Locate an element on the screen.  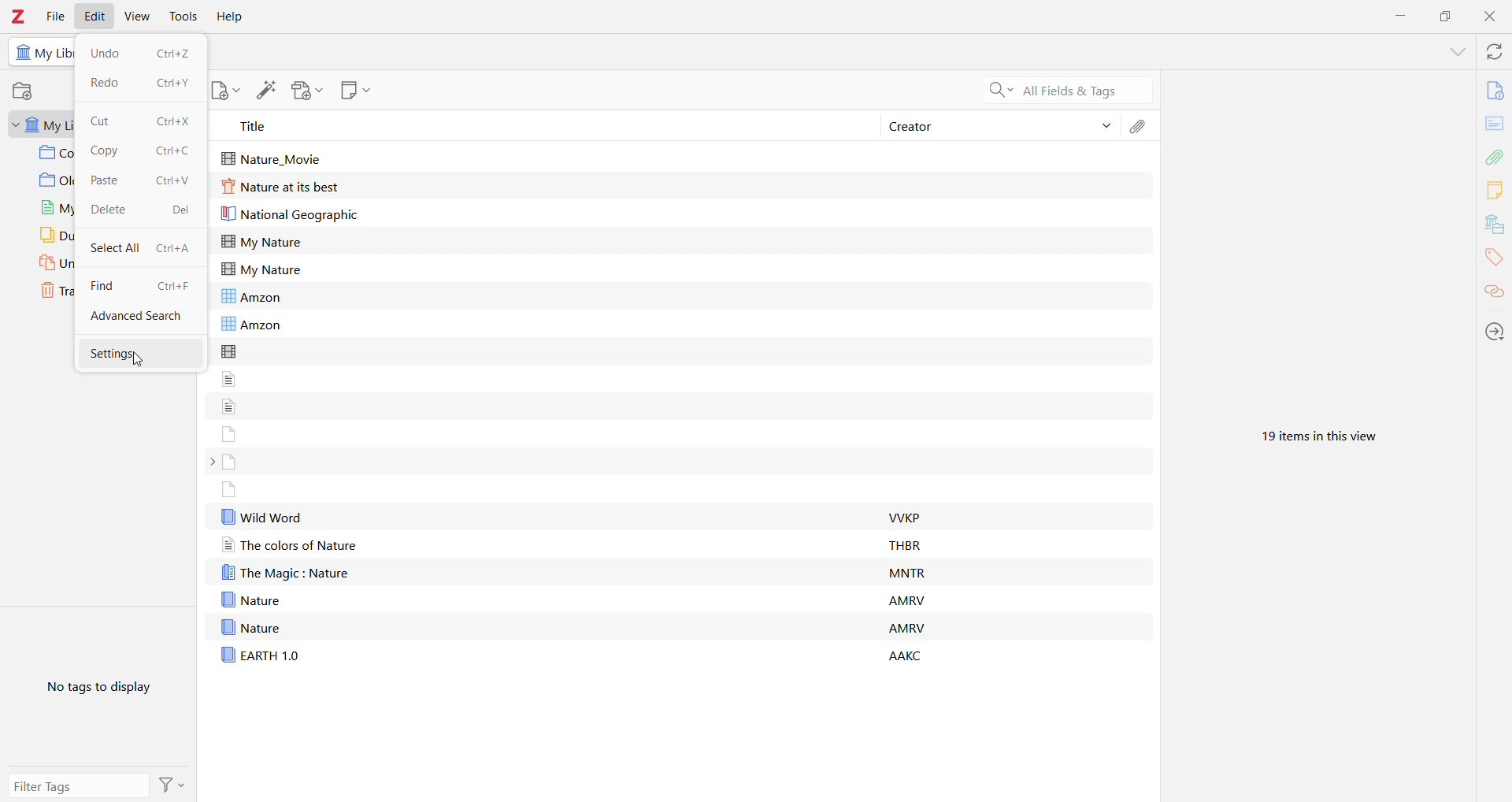
file without title is located at coordinates (230, 489).